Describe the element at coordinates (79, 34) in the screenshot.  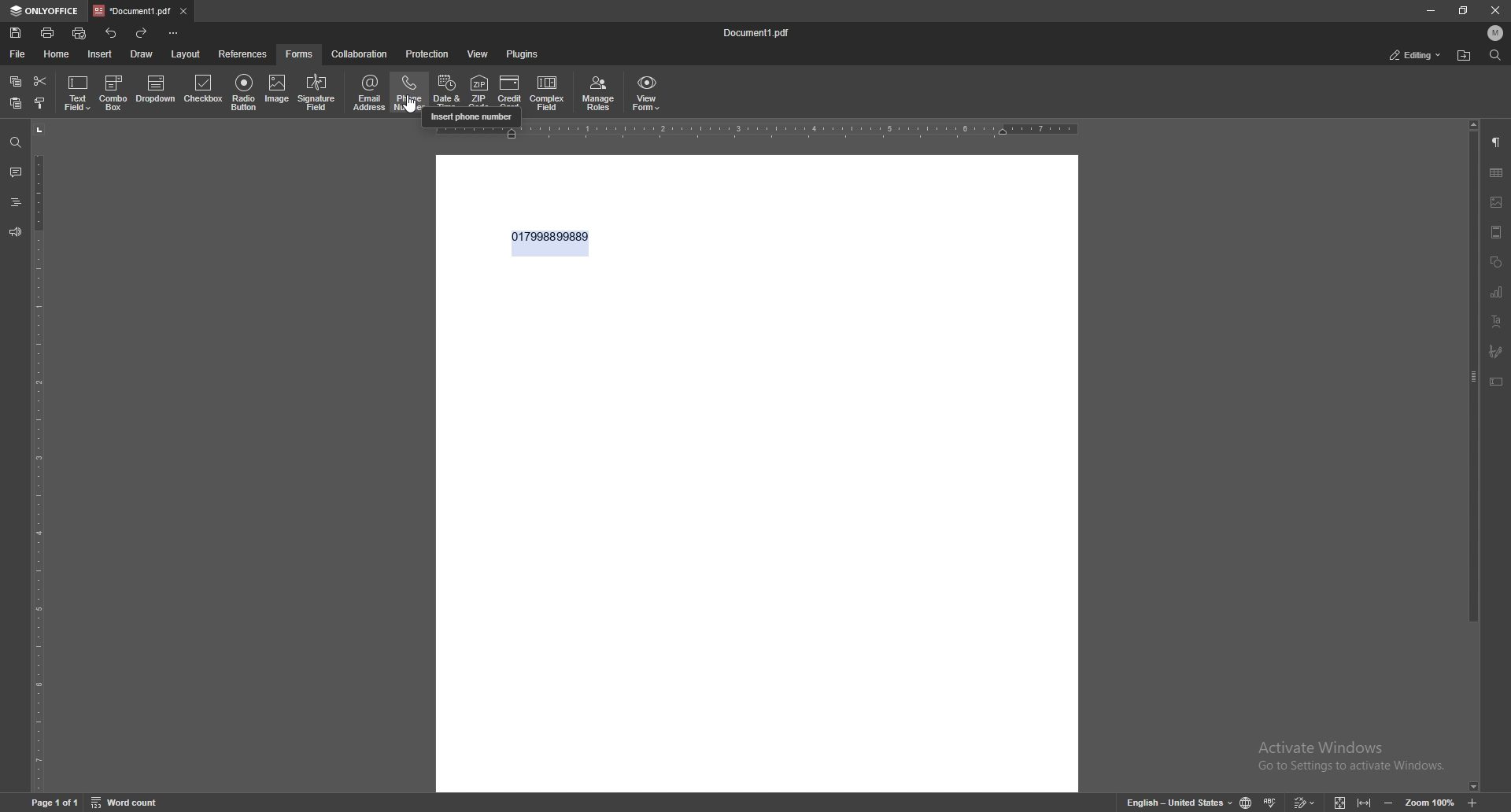
I see `quickprint` at that location.